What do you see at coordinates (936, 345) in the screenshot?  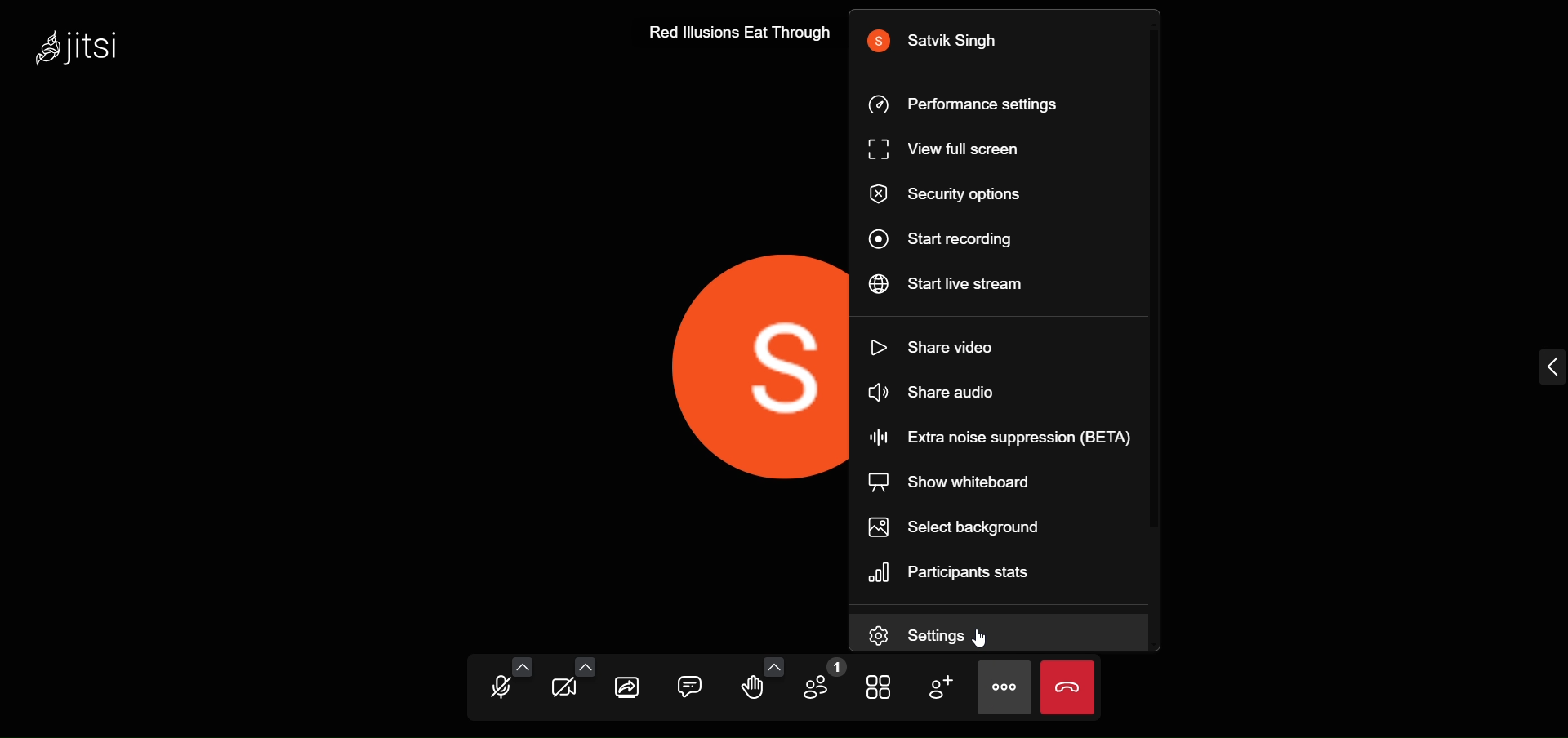 I see `share video` at bounding box center [936, 345].